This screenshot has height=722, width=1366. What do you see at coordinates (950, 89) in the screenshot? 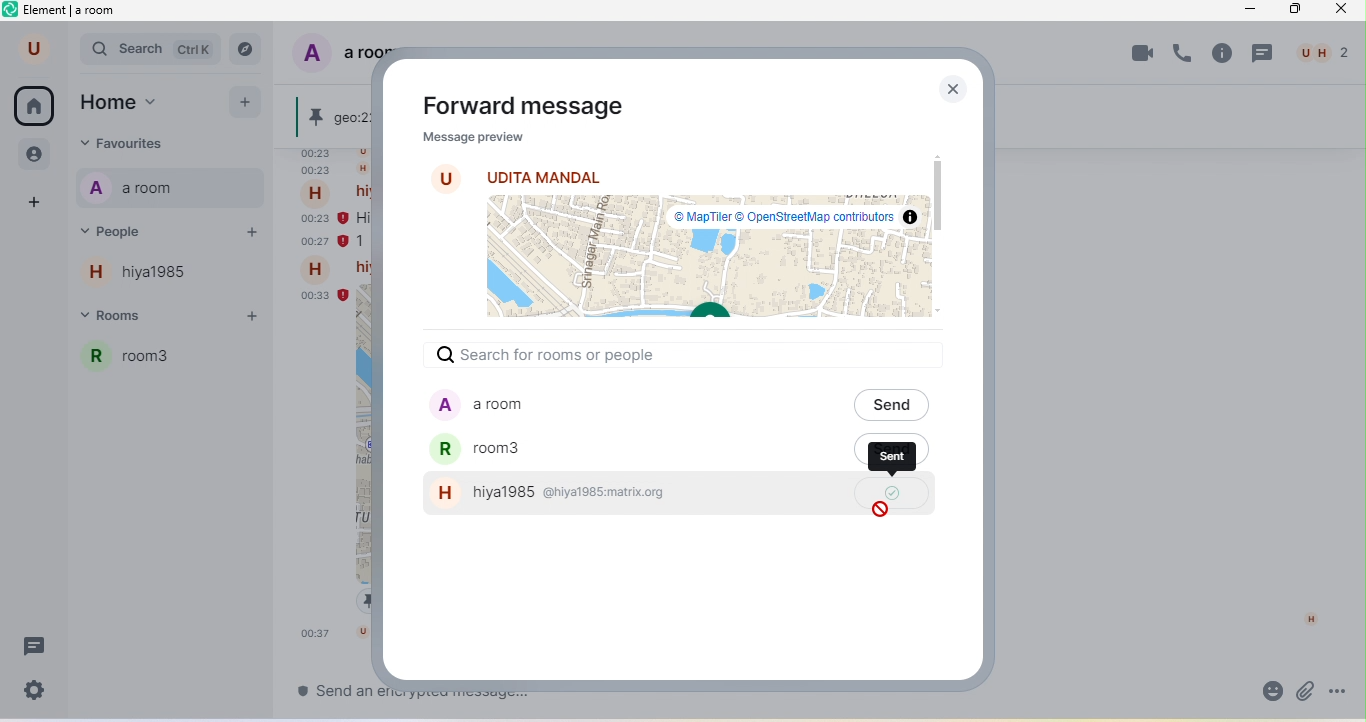
I see `close` at bounding box center [950, 89].